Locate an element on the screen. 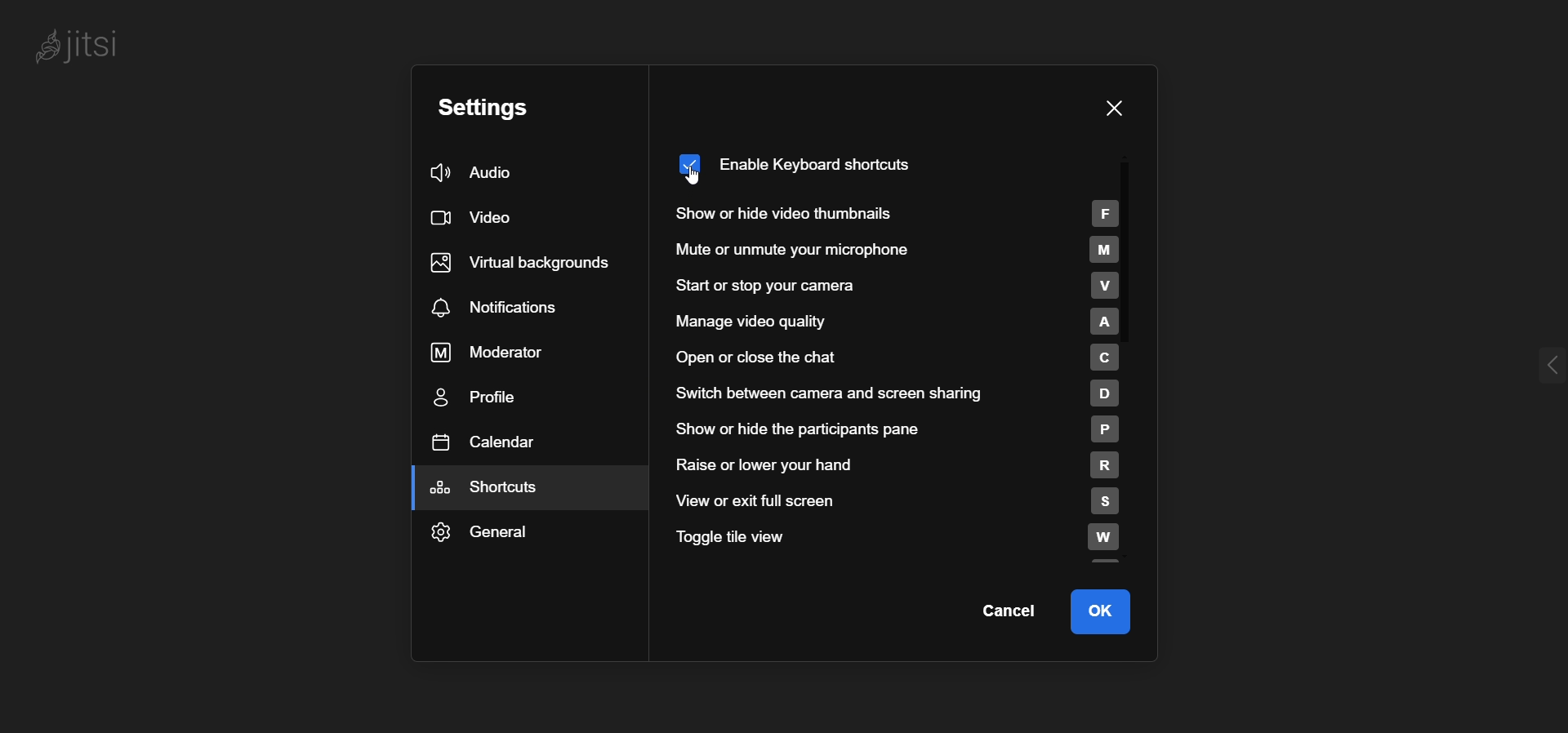  manage video quality is located at coordinates (901, 319).